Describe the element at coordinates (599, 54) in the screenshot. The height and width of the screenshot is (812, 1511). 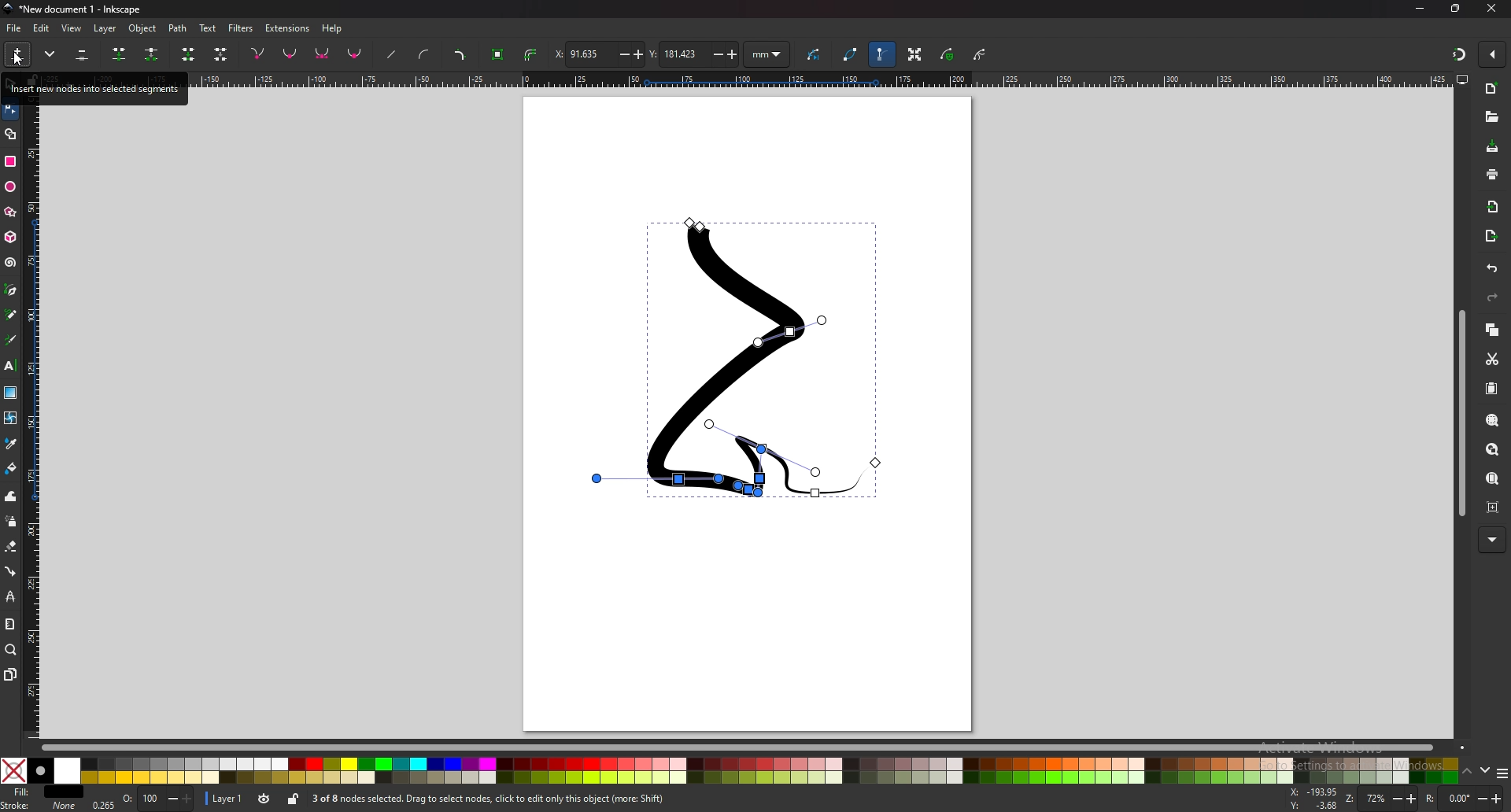
I see `x coordinates` at that location.